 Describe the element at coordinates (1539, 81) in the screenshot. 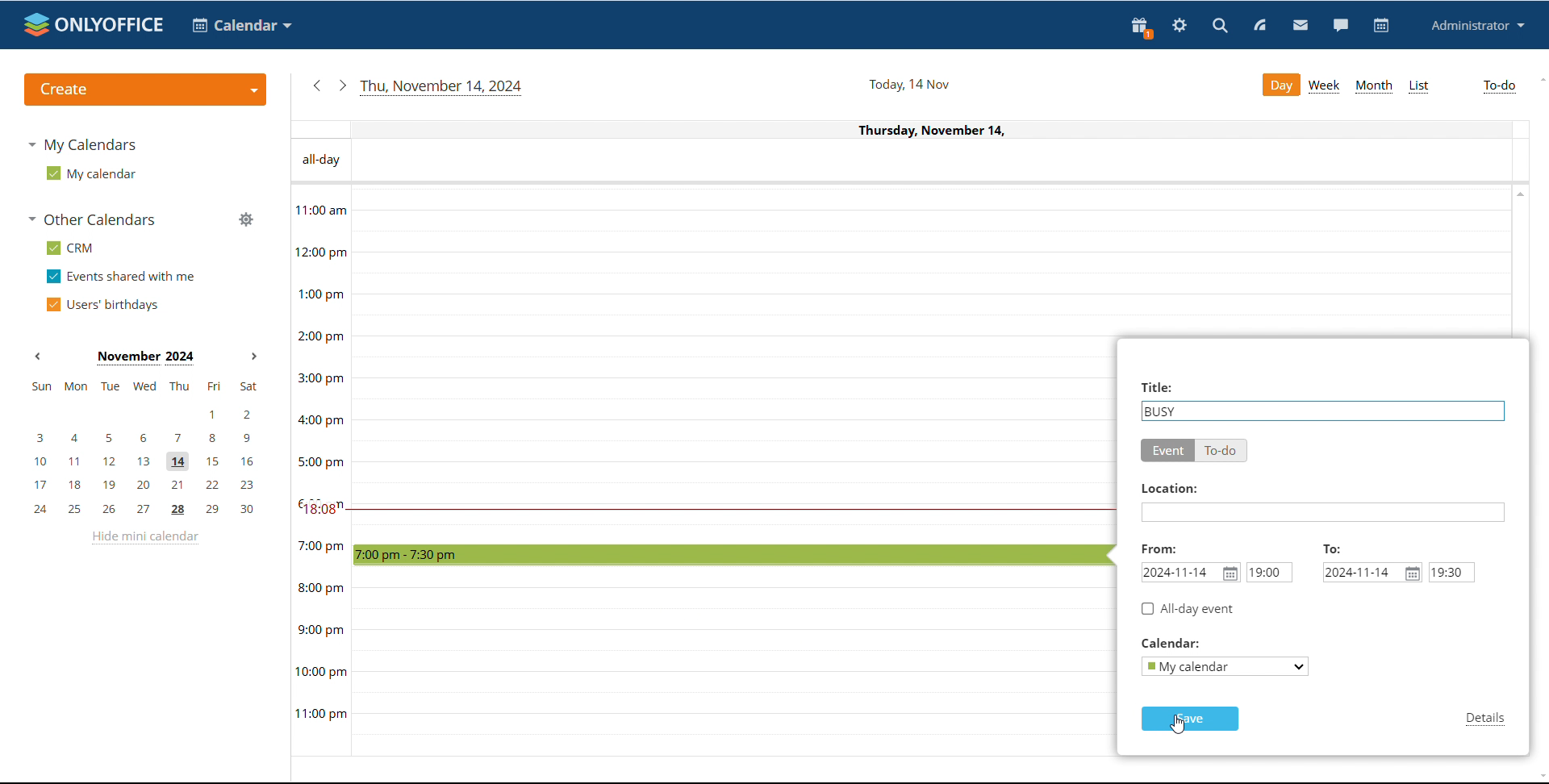

I see `scroll up` at that location.